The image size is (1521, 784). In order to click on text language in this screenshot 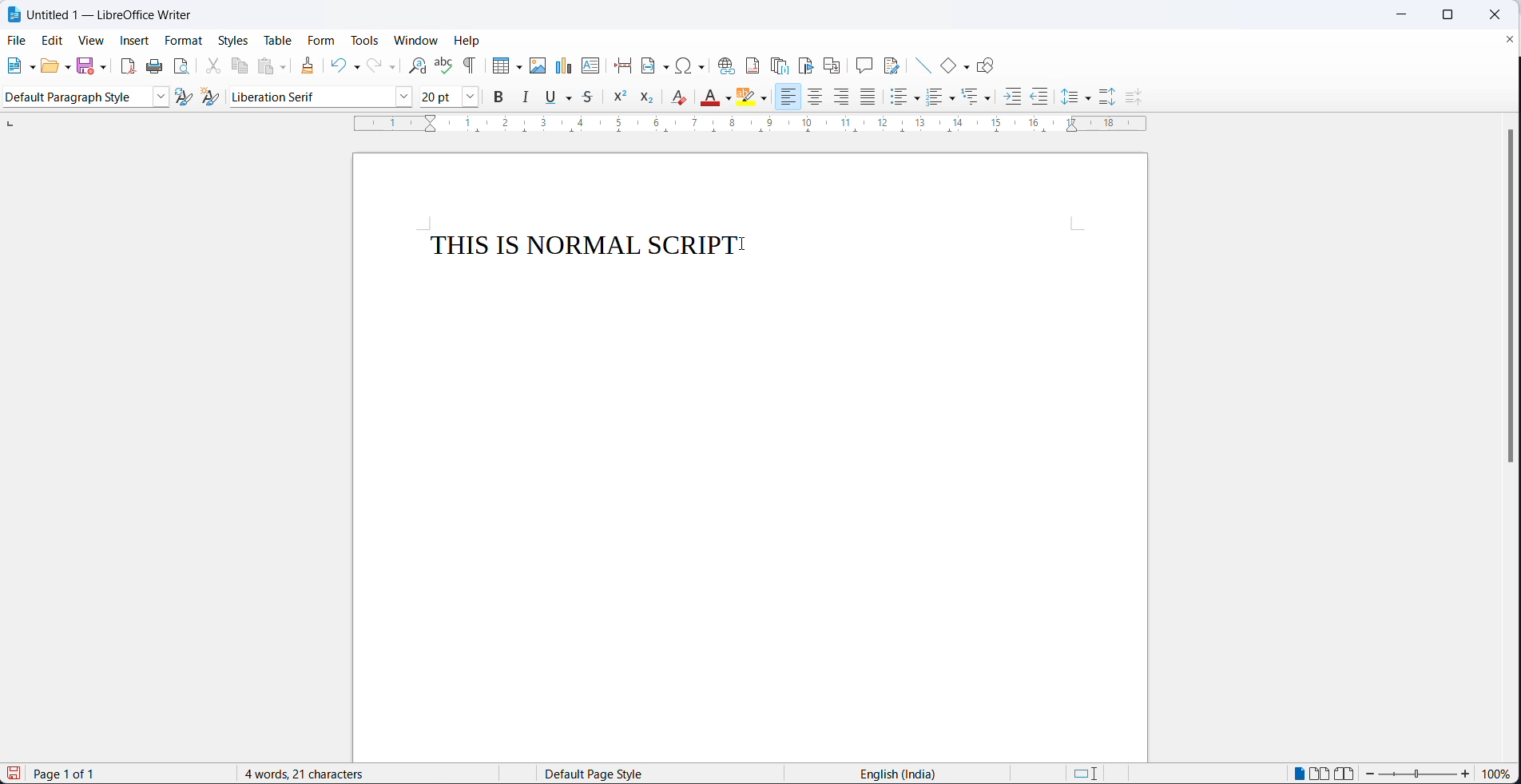, I will do `click(901, 774)`.